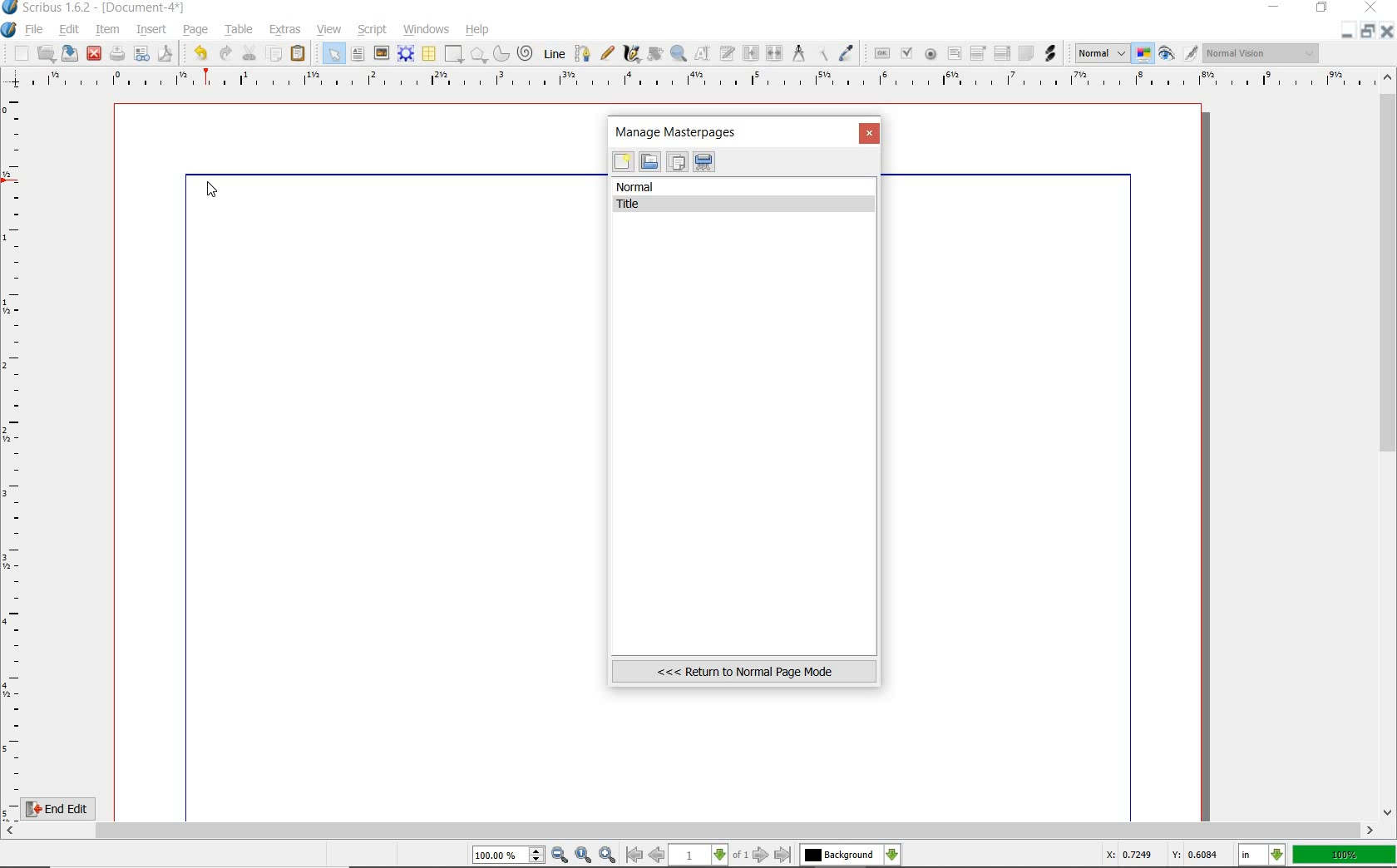 Image resolution: width=1397 pixels, height=868 pixels. What do you see at coordinates (580, 53) in the screenshot?
I see `Bezier curve` at bounding box center [580, 53].